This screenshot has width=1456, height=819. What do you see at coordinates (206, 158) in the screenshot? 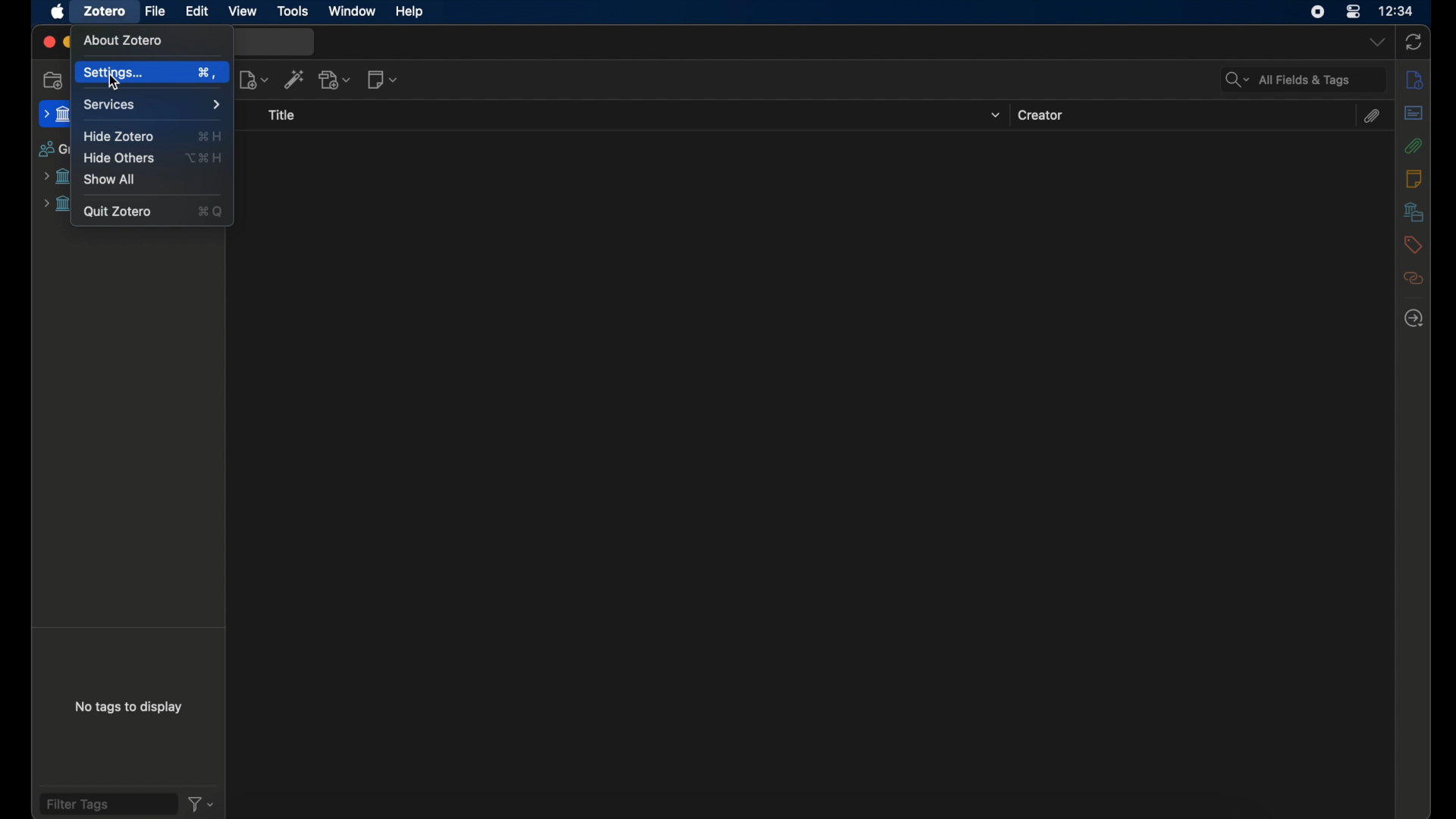
I see `hide others shortcut` at bounding box center [206, 158].